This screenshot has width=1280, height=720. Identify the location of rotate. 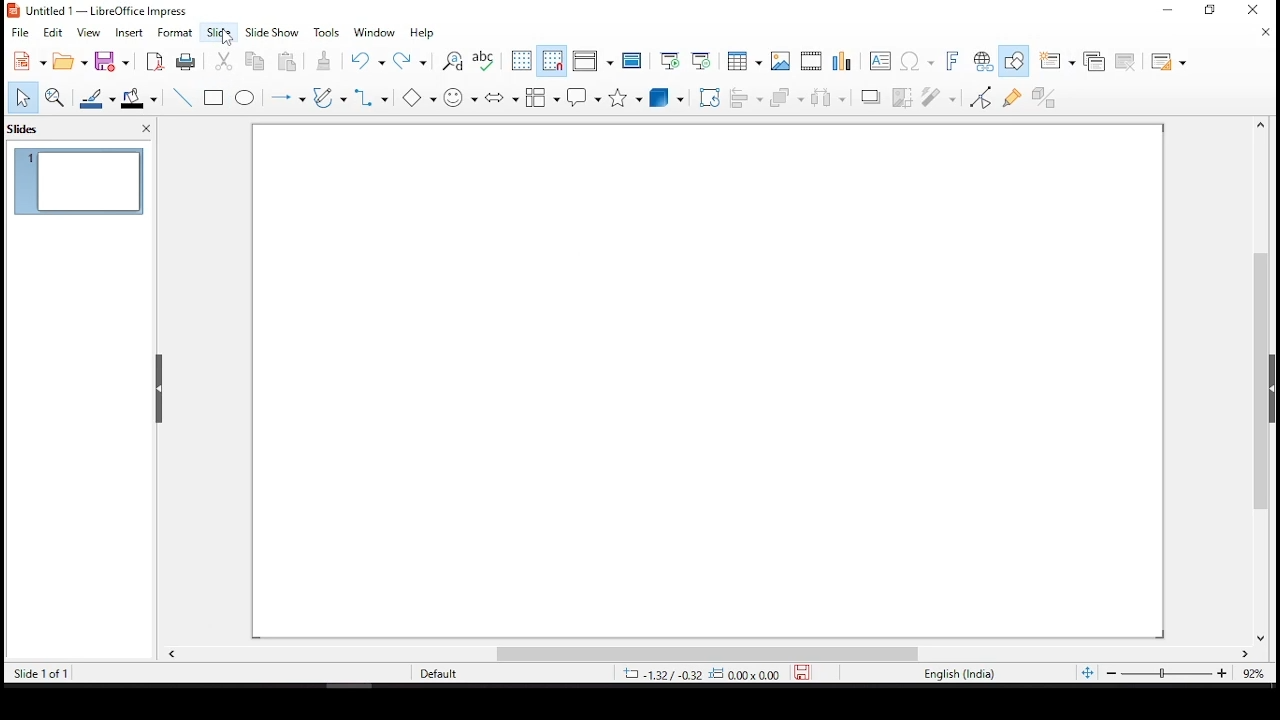
(710, 96).